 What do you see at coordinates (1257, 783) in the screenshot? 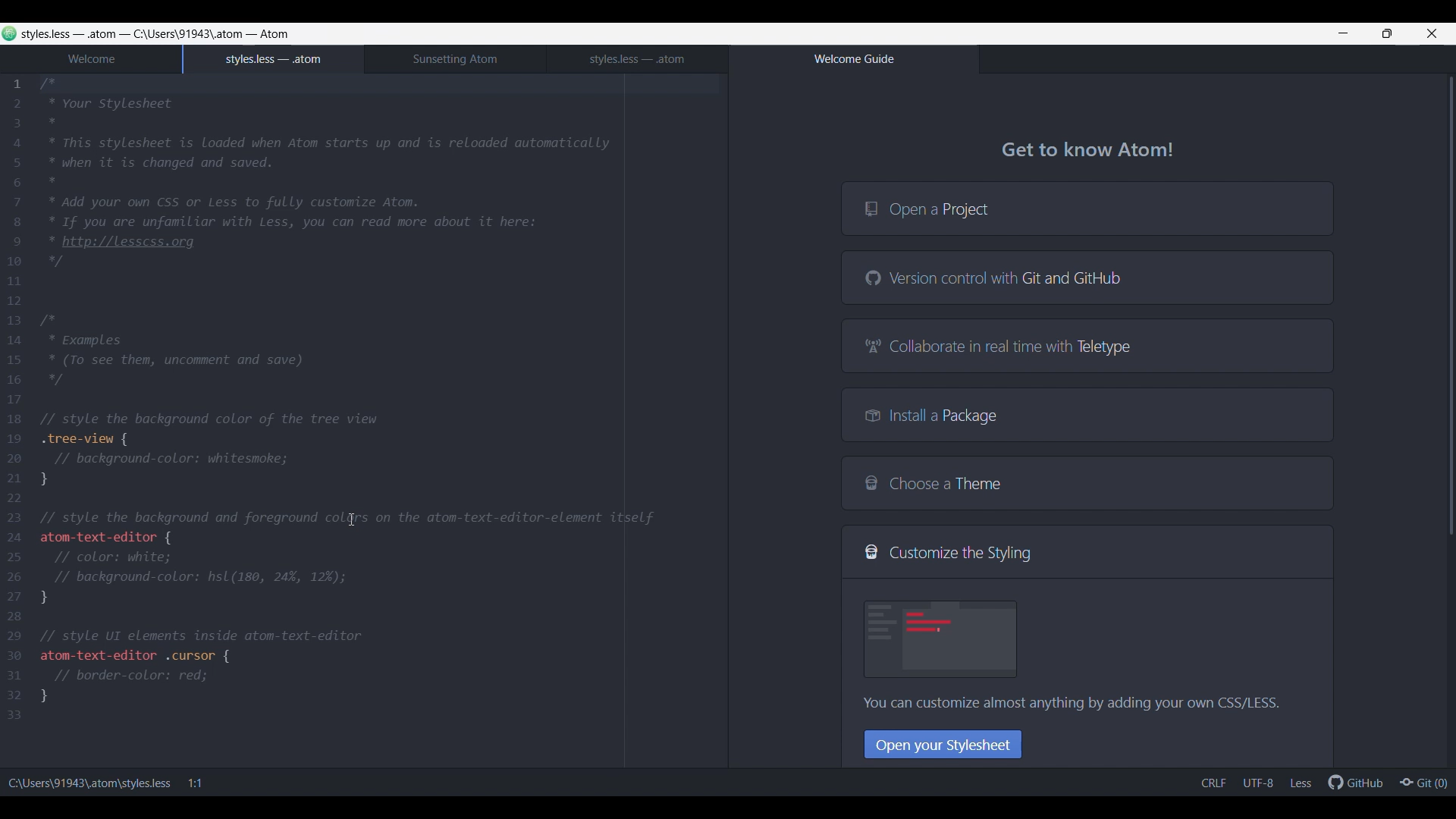
I see `More details of current selection` at bounding box center [1257, 783].